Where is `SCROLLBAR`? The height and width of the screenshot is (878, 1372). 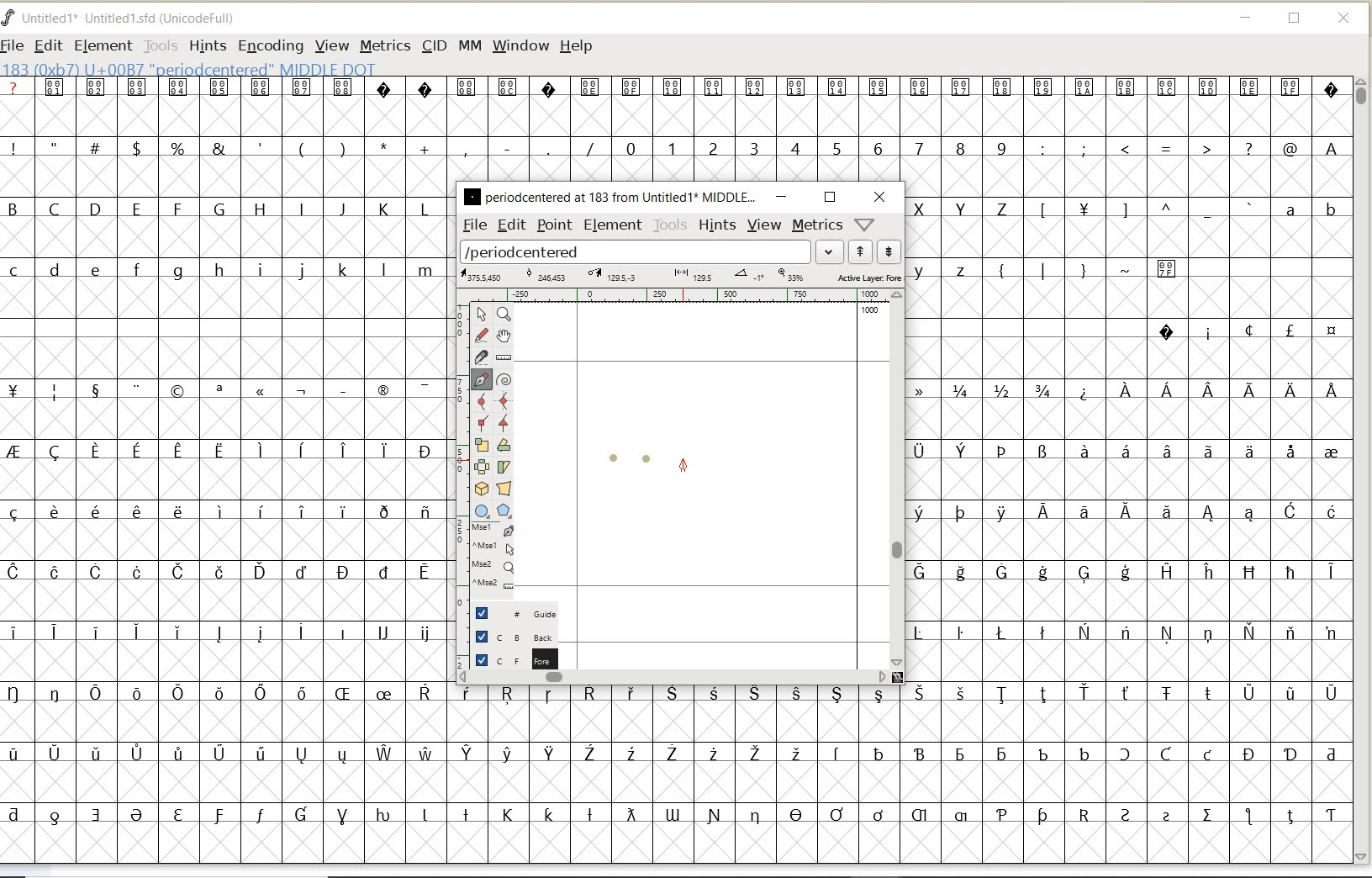 SCROLLBAR is located at coordinates (1364, 470).